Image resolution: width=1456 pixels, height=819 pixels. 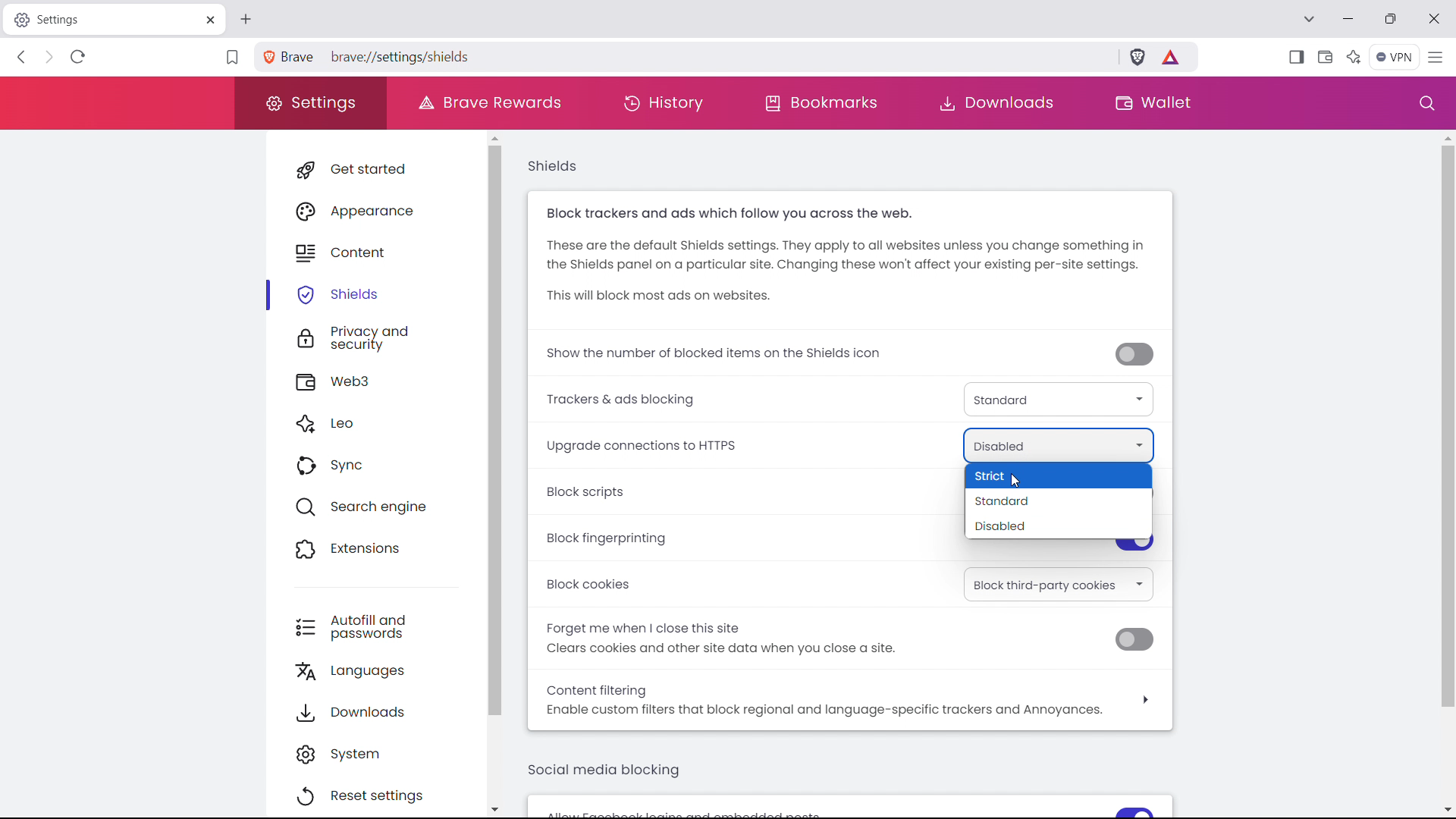 What do you see at coordinates (646, 626) in the screenshot?
I see `Forget me when | close this site` at bounding box center [646, 626].